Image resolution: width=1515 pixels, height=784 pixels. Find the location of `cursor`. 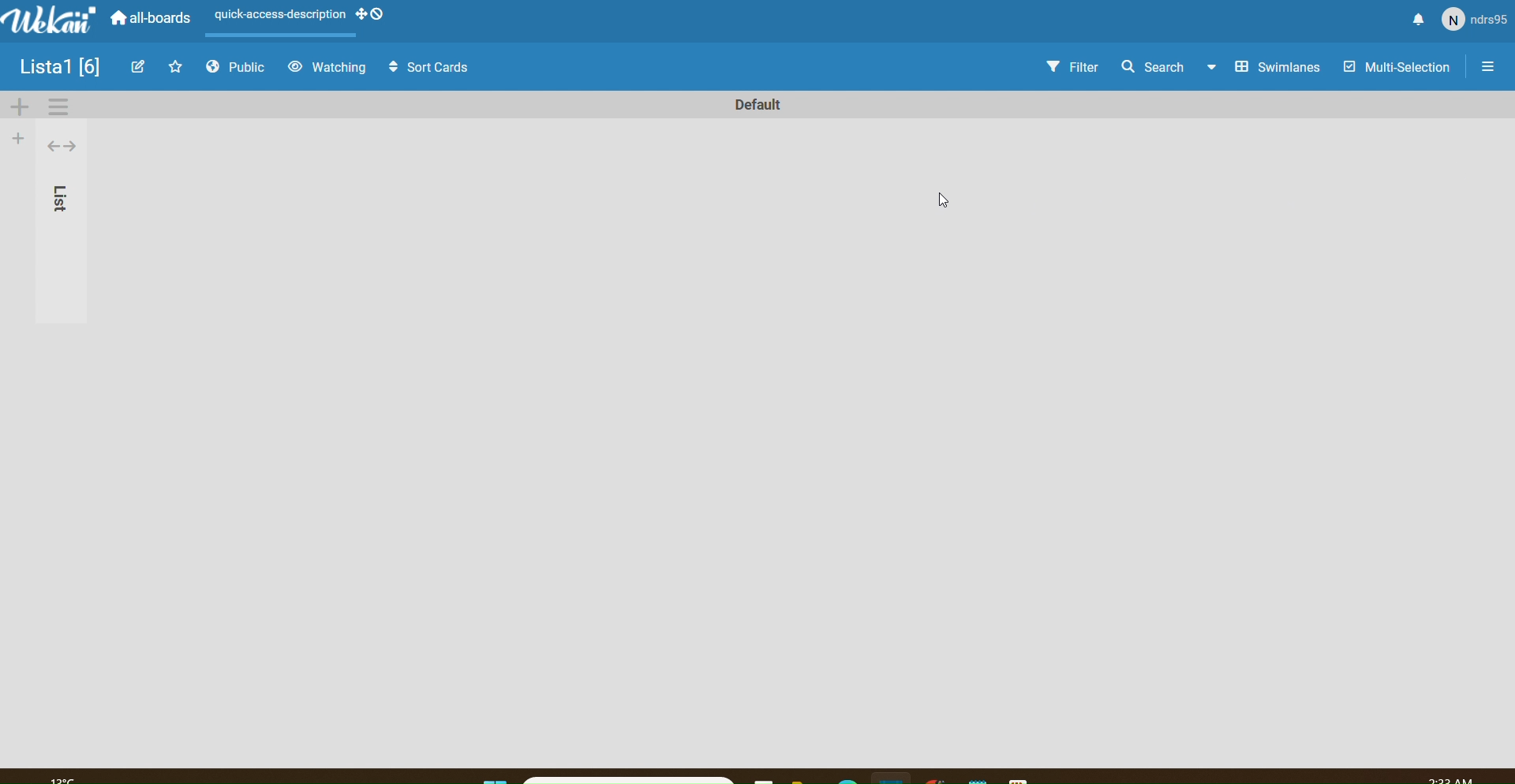

cursor is located at coordinates (945, 200).